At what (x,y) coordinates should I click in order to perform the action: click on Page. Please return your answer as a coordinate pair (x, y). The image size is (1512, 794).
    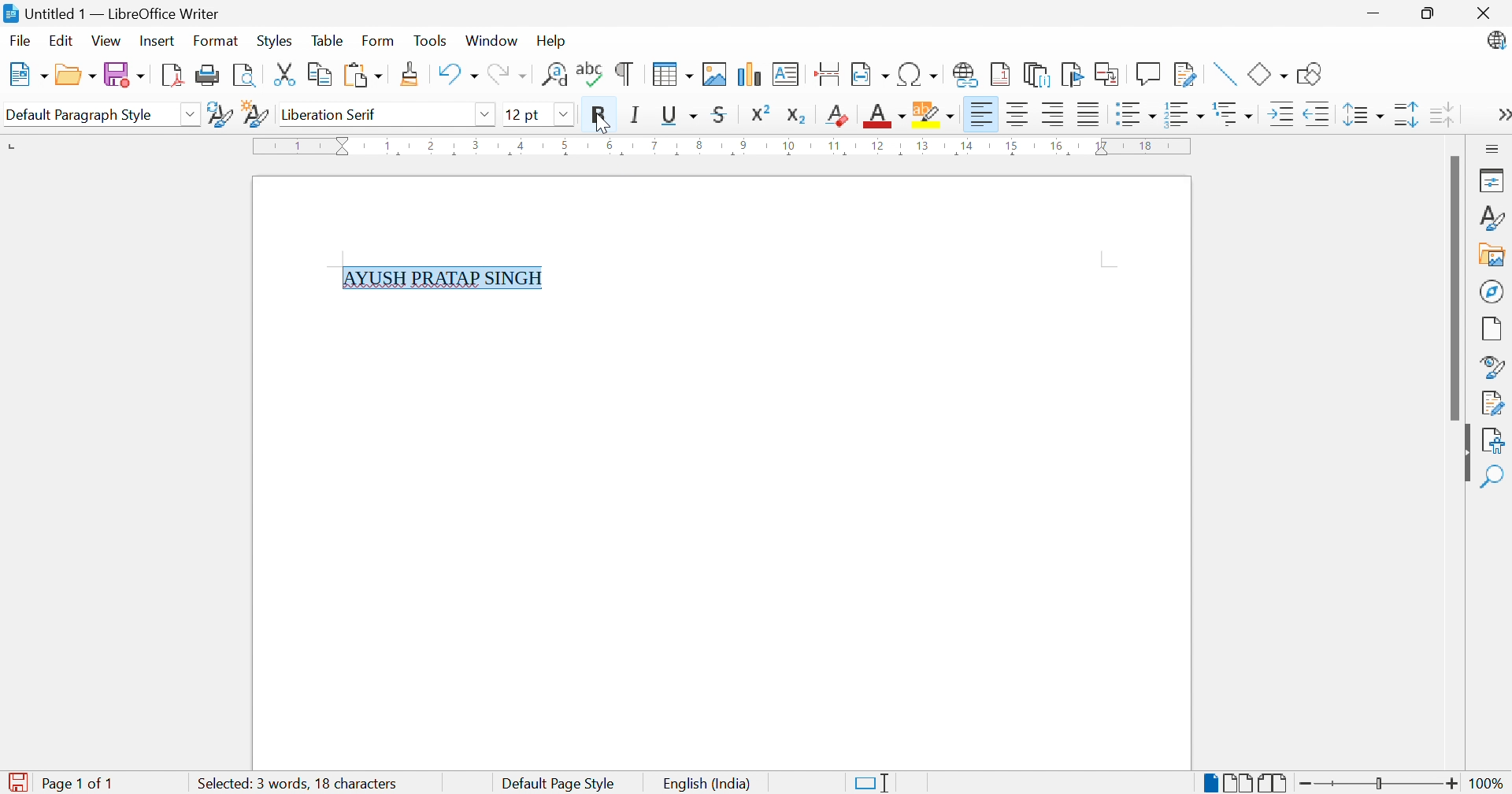
    Looking at the image, I should click on (1492, 328).